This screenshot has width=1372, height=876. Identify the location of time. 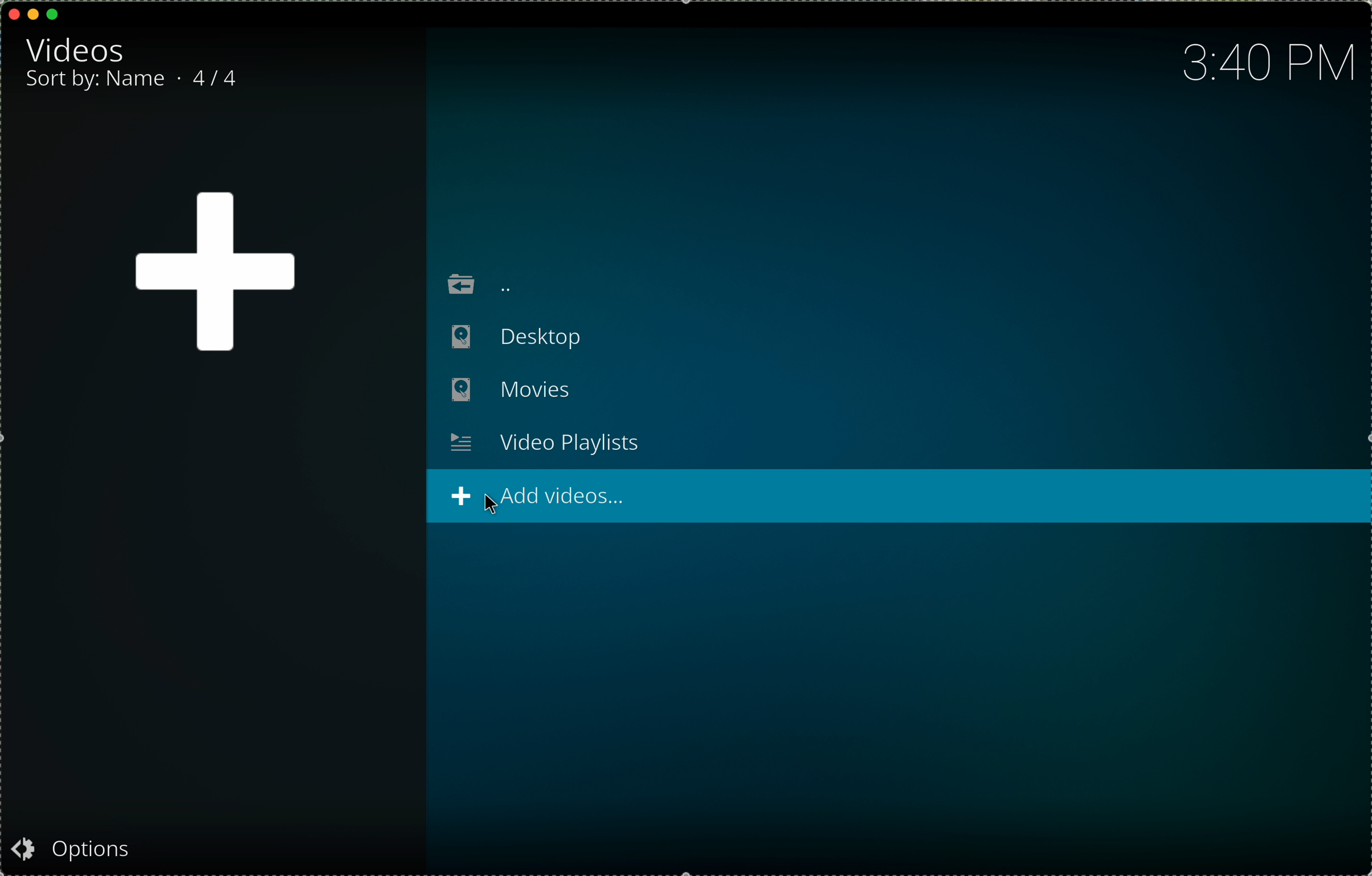
(1270, 65).